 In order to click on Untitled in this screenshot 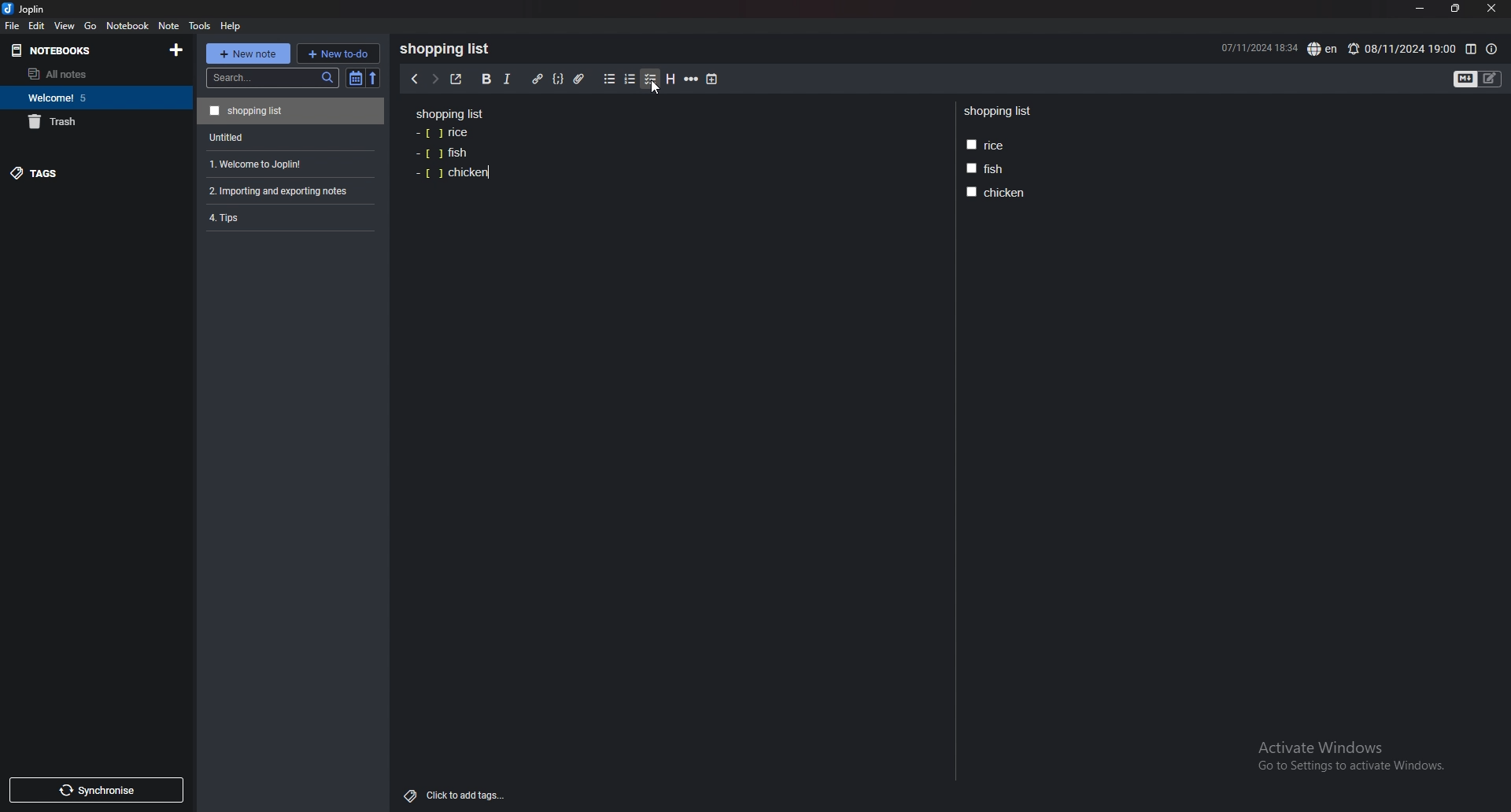, I will do `click(288, 136)`.